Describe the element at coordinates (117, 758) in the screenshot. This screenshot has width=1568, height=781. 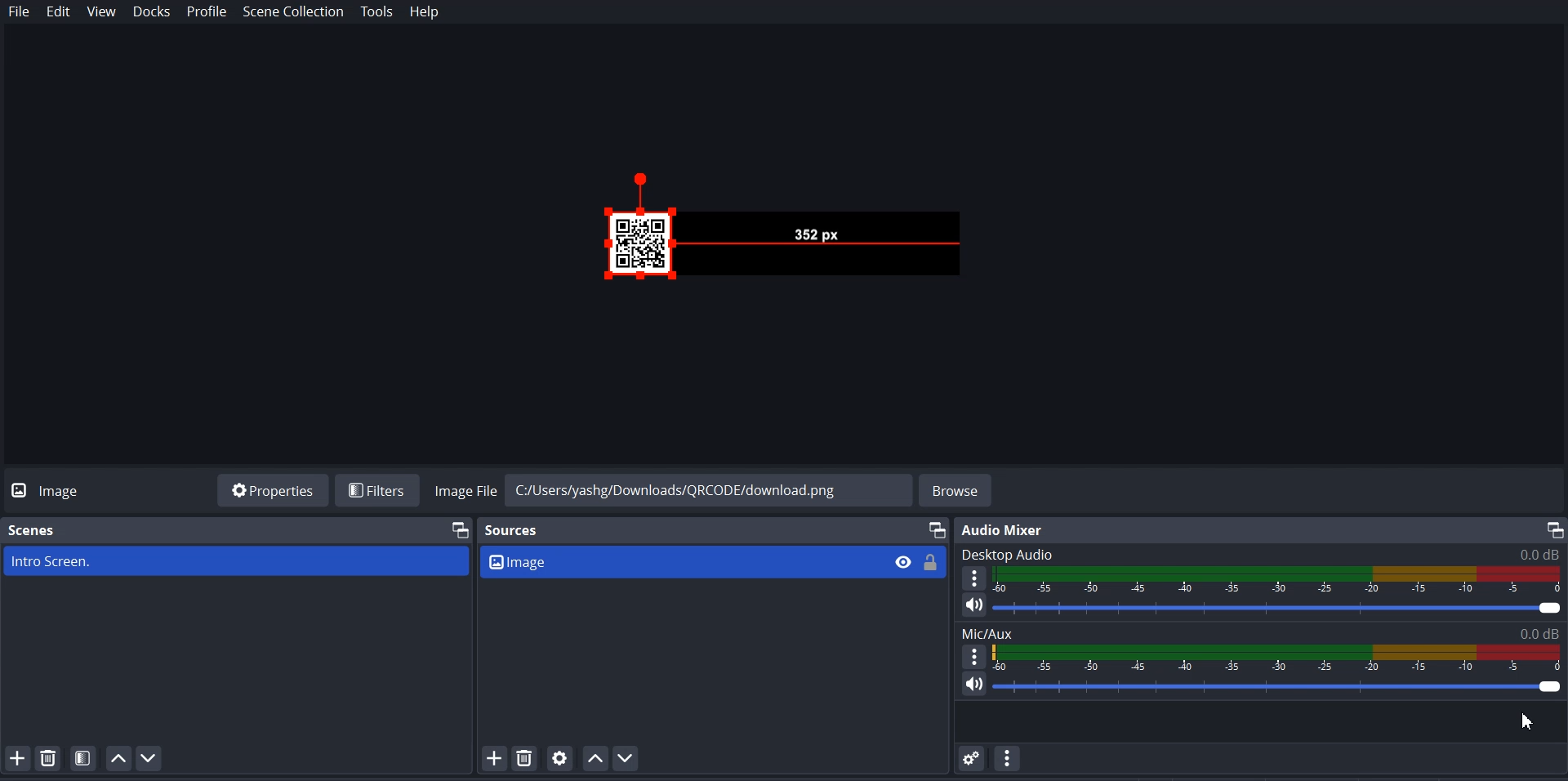
I see `Move scene Up` at that location.